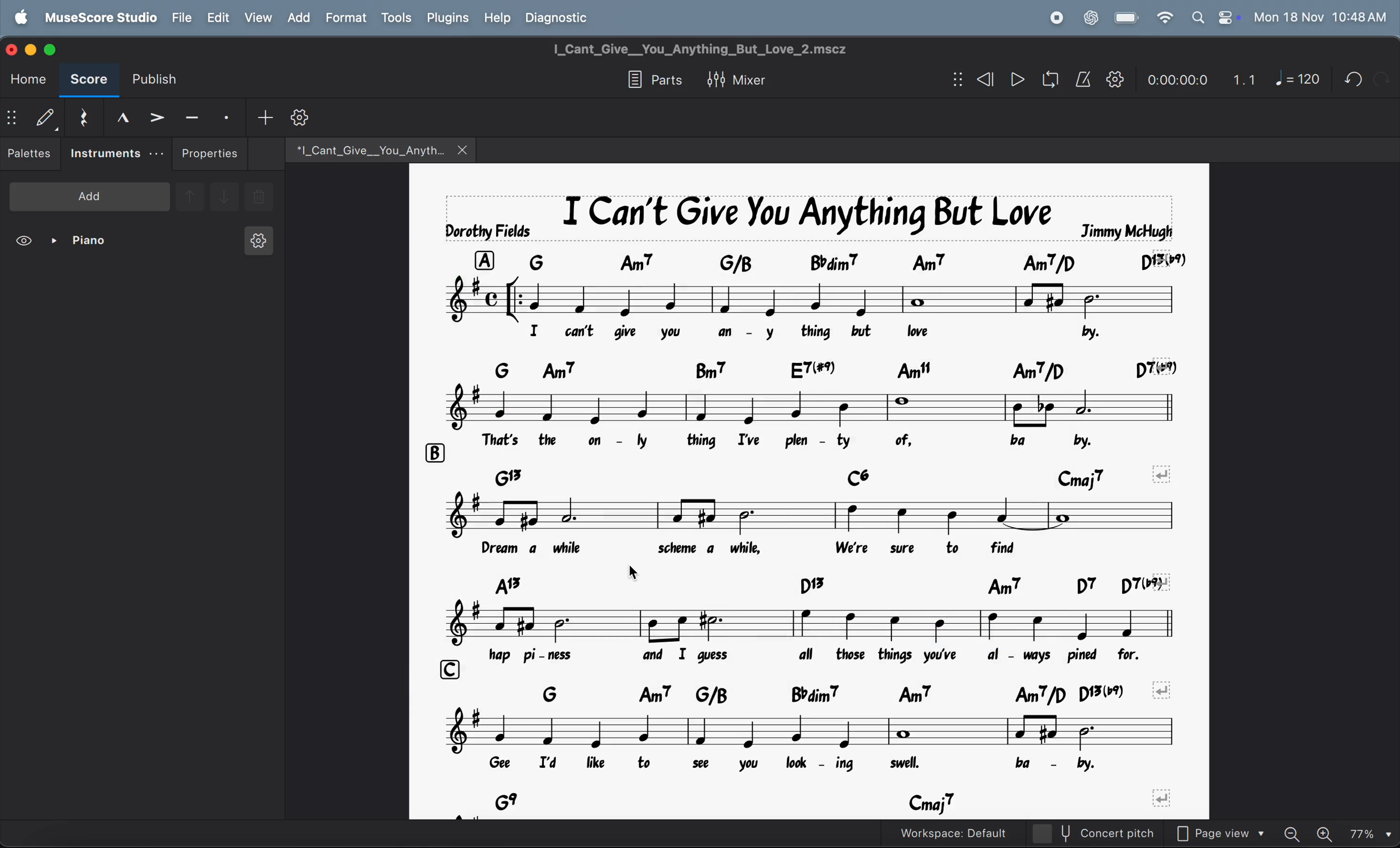 This screenshot has width=1400, height=848. Describe the element at coordinates (824, 582) in the screenshot. I see `chord symbols` at that location.